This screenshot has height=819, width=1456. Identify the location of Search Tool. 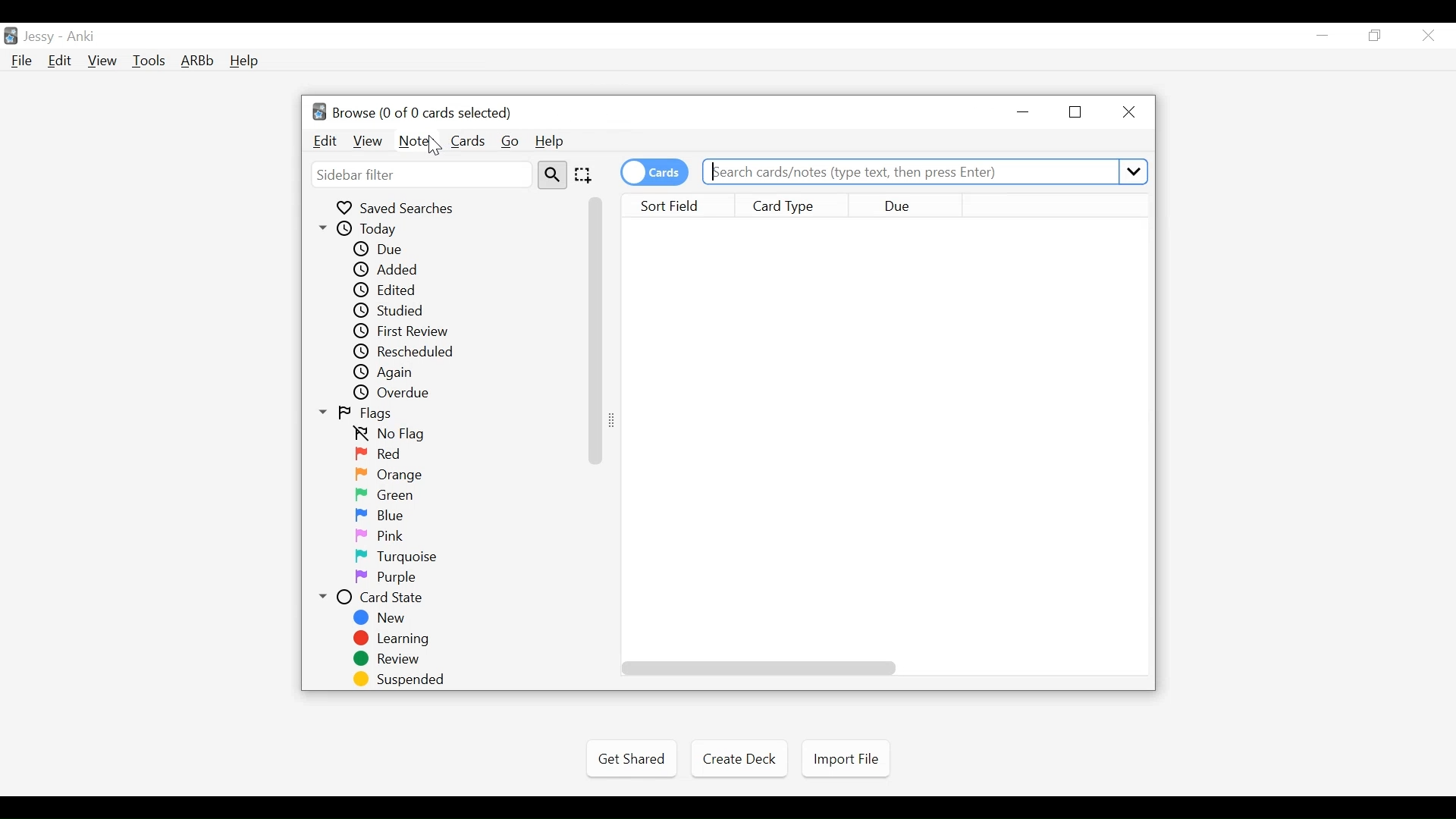
(551, 174).